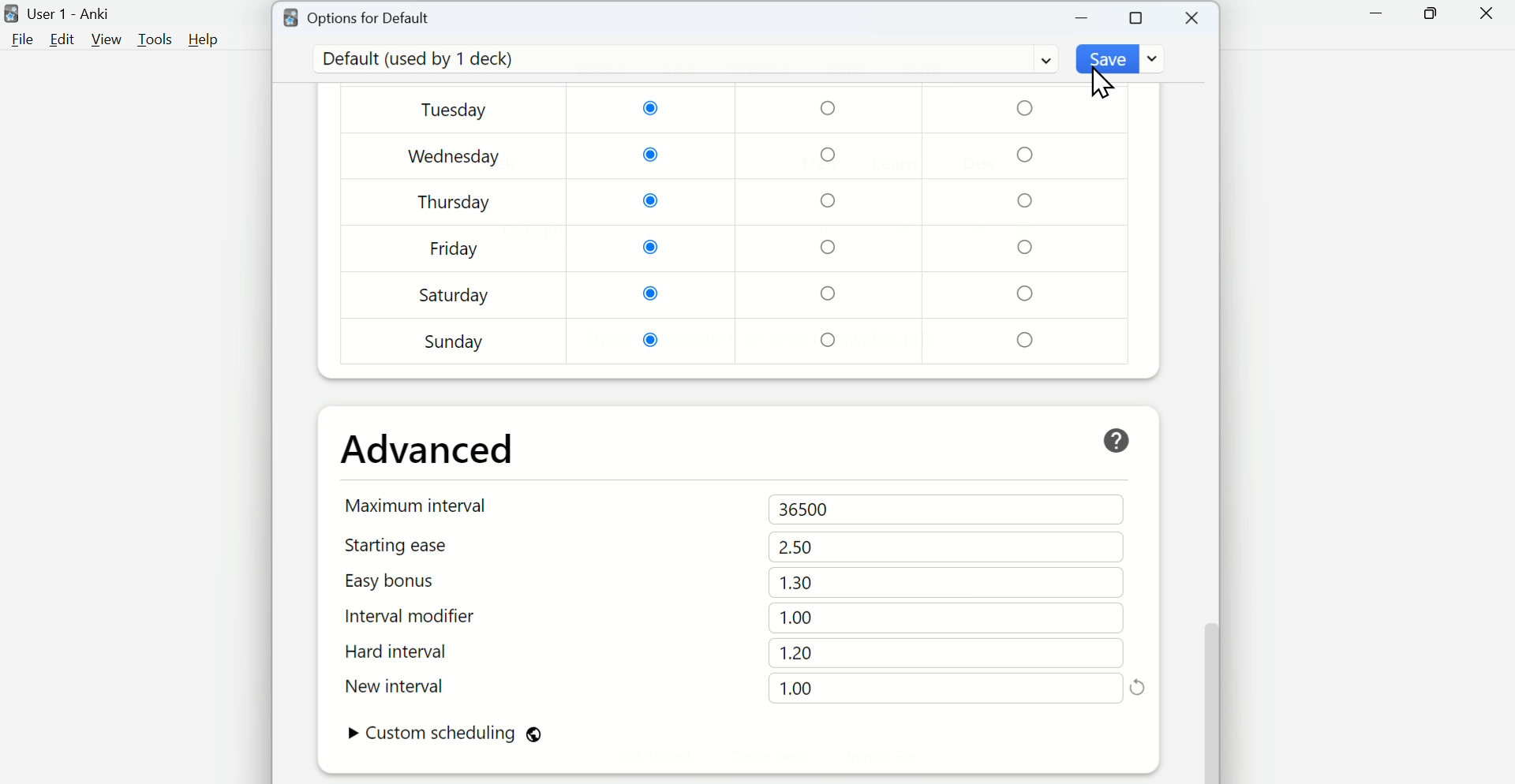 The width and height of the screenshot is (1515, 784). Describe the element at coordinates (20, 40) in the screenshot. I see `File` at that location.